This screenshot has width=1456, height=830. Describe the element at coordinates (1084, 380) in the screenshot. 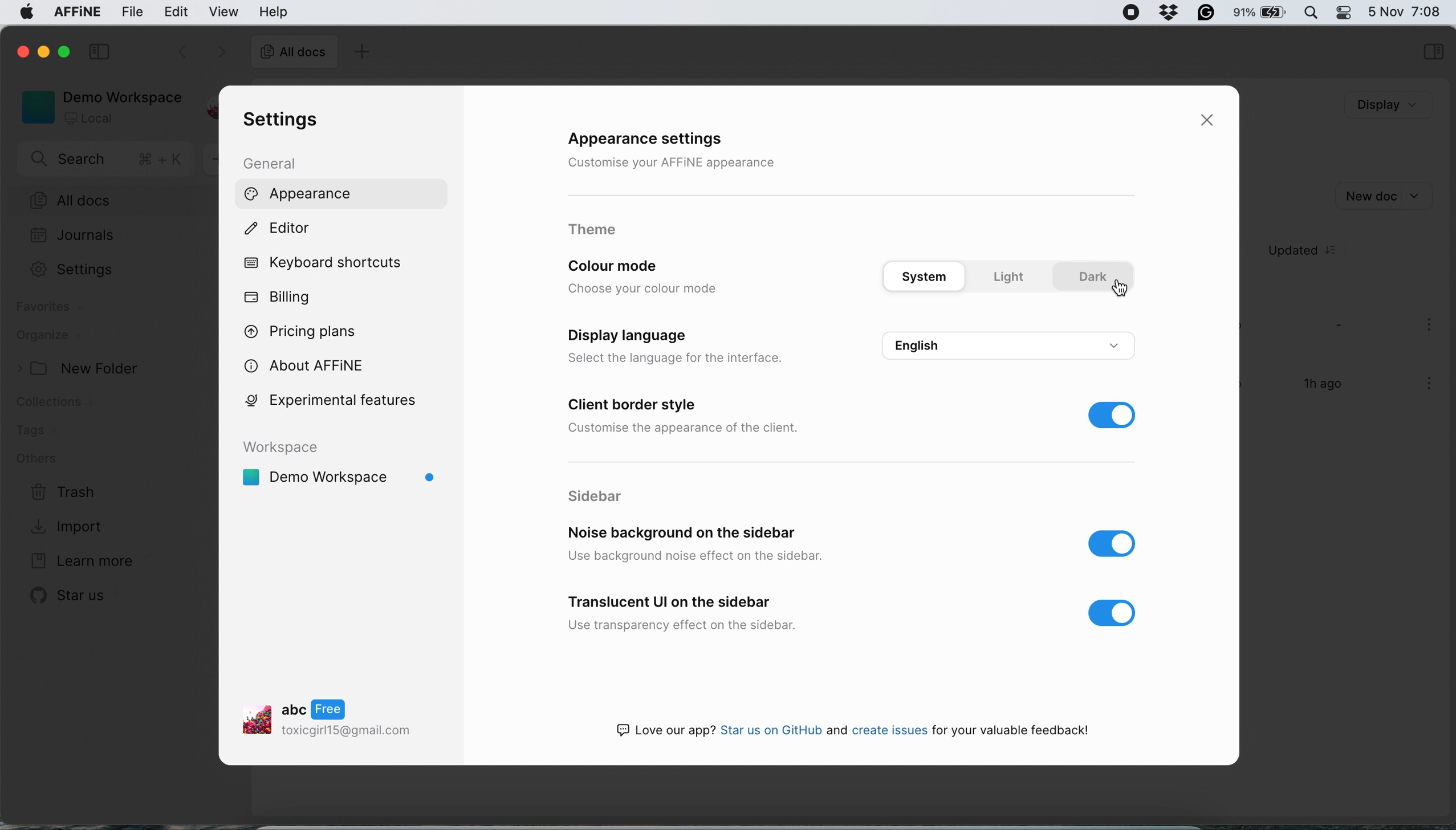

I see `change email` at that location.